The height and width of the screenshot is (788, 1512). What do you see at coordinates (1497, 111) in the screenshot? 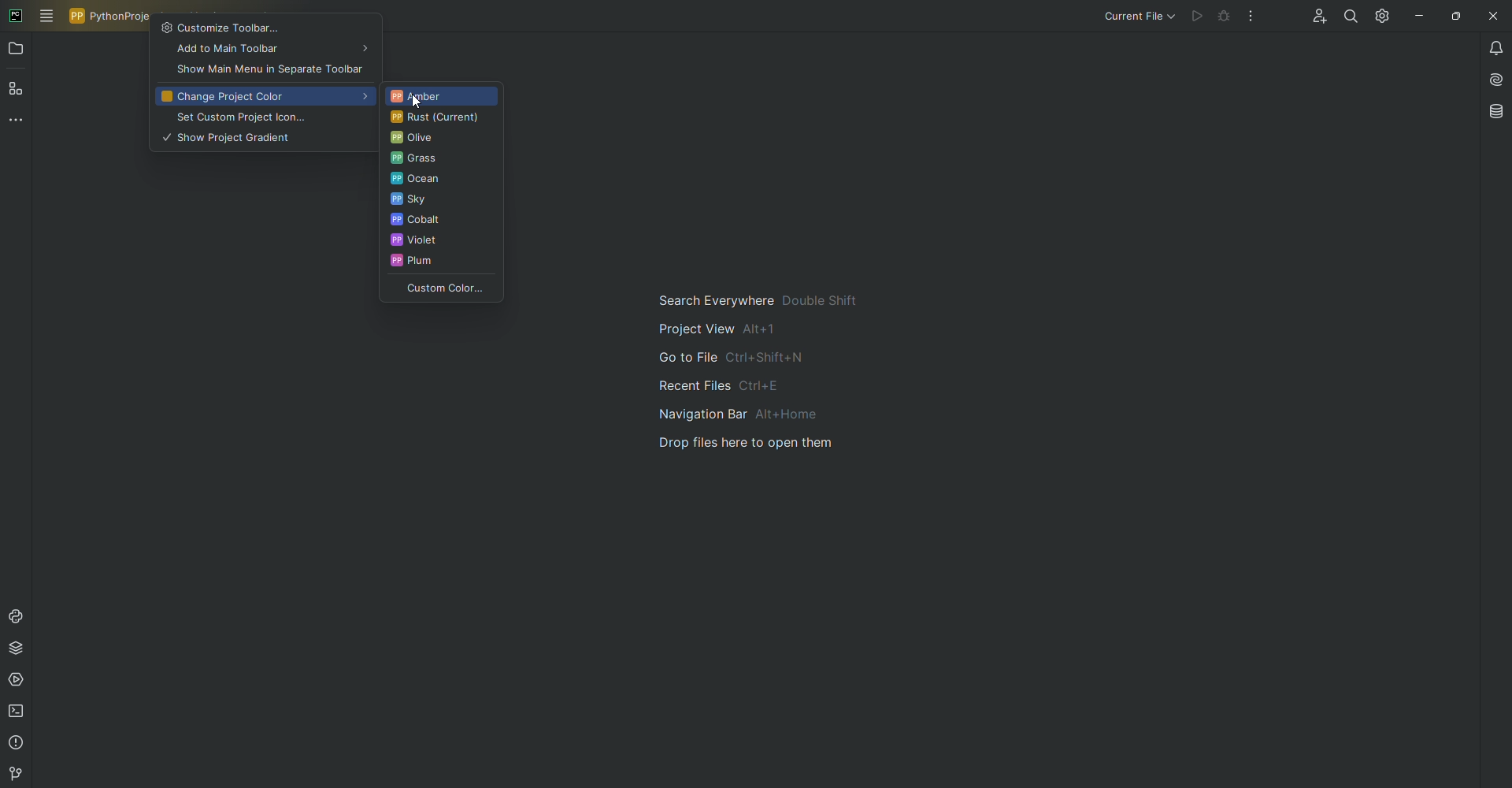
I see `Database` at bounding box center [1497, 111].